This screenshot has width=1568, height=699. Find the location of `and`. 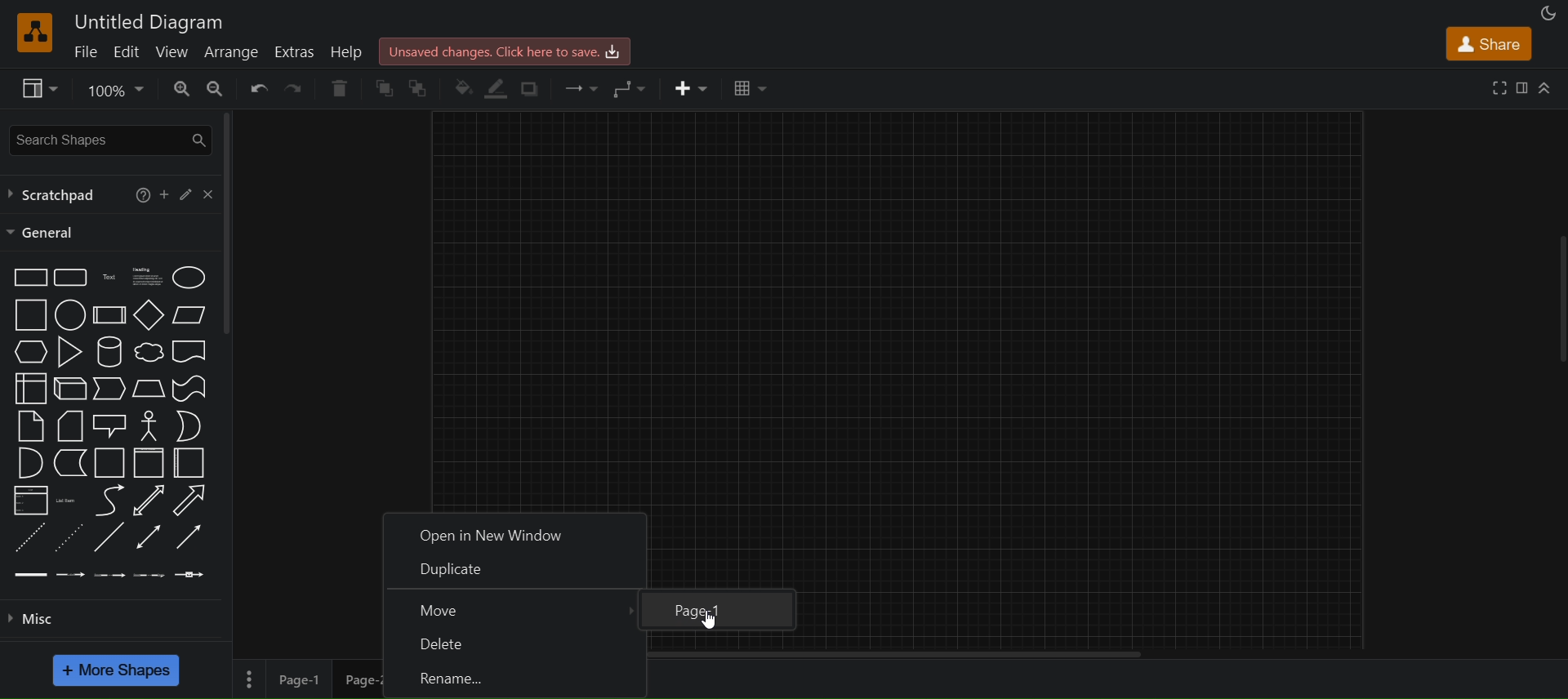

and is located at coordinates (29, 462).